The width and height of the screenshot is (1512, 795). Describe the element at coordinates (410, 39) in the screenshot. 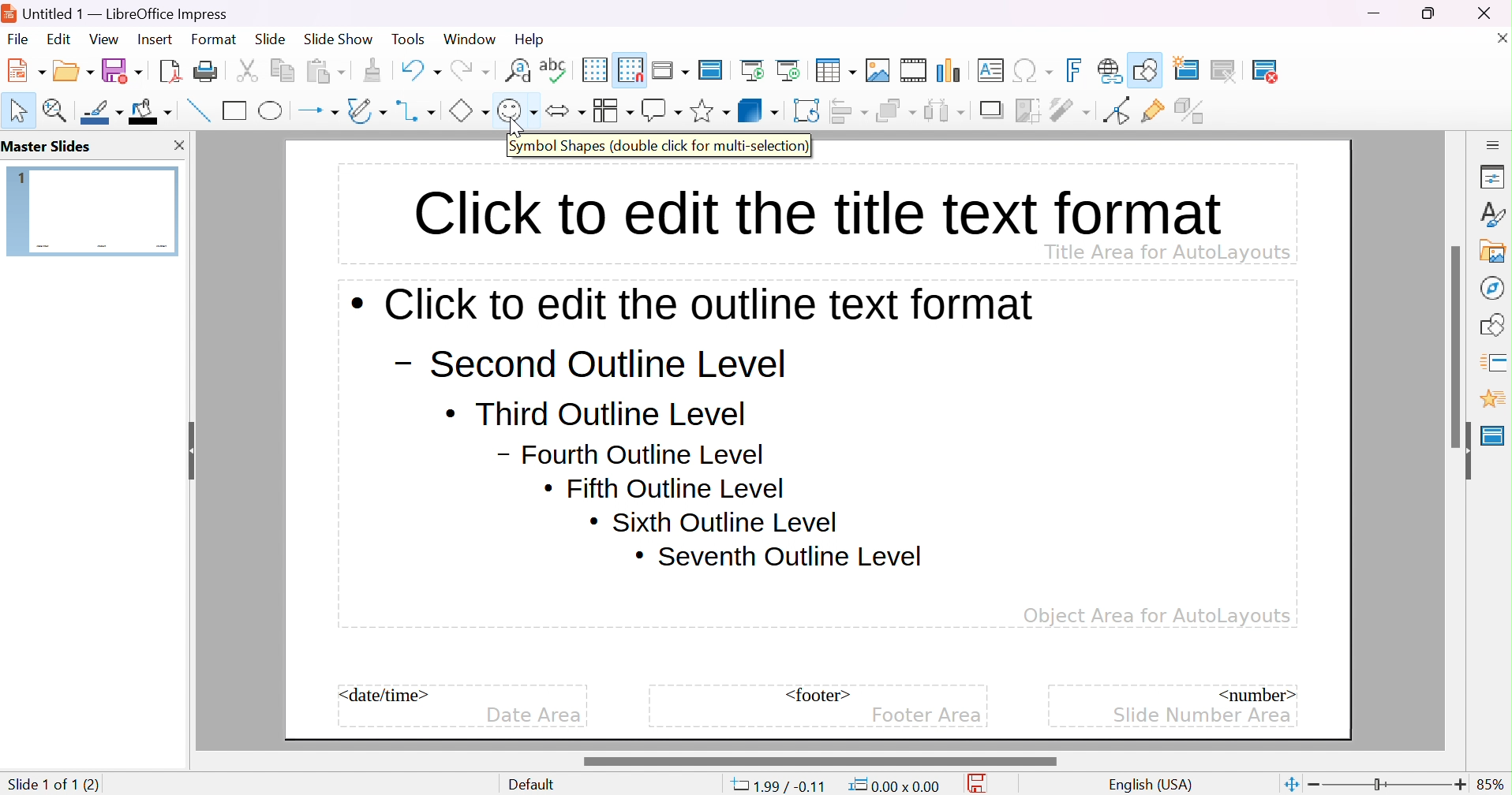

I see `tools` at that location.